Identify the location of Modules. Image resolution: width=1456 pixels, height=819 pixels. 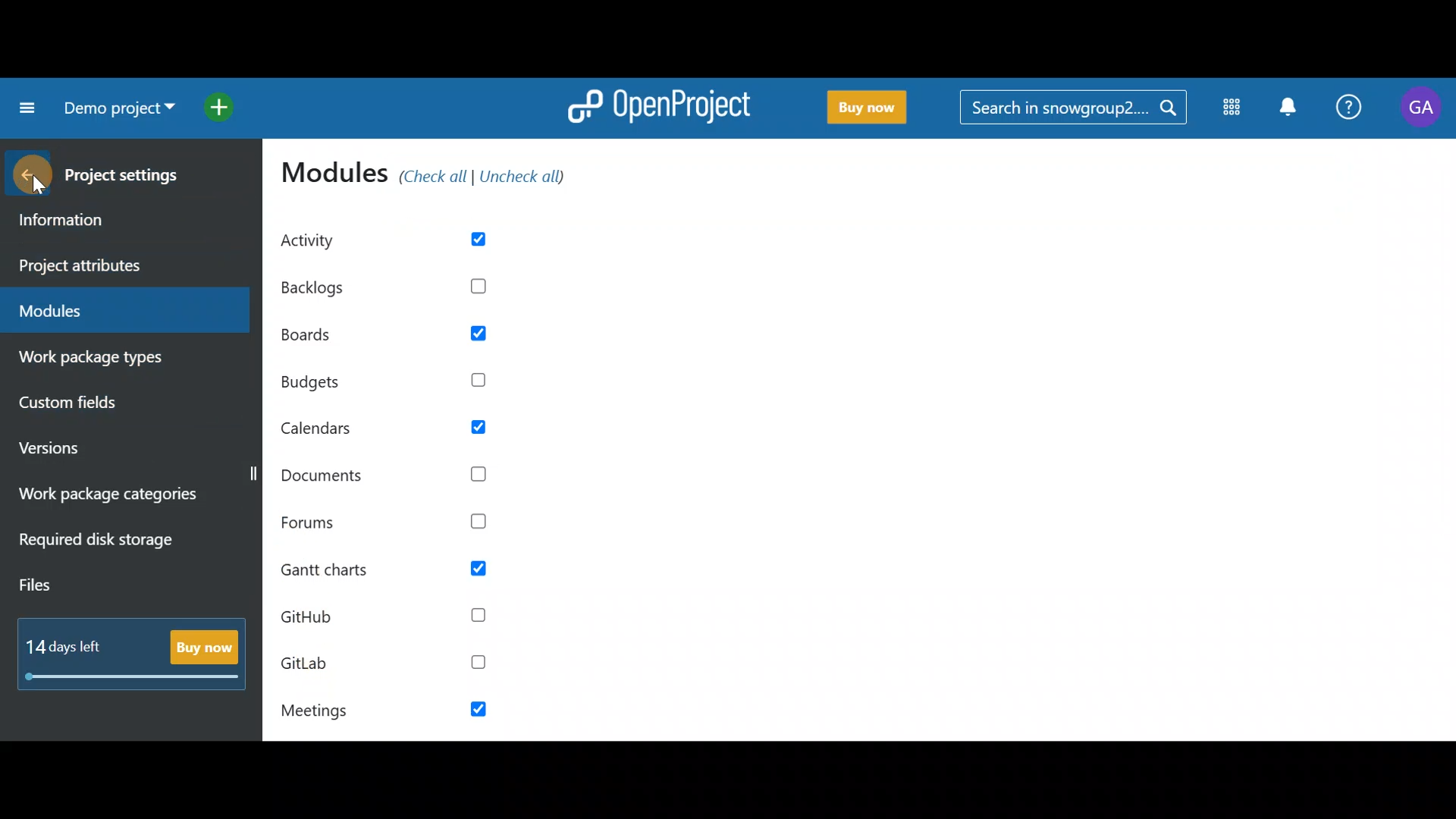
(1234, 108).